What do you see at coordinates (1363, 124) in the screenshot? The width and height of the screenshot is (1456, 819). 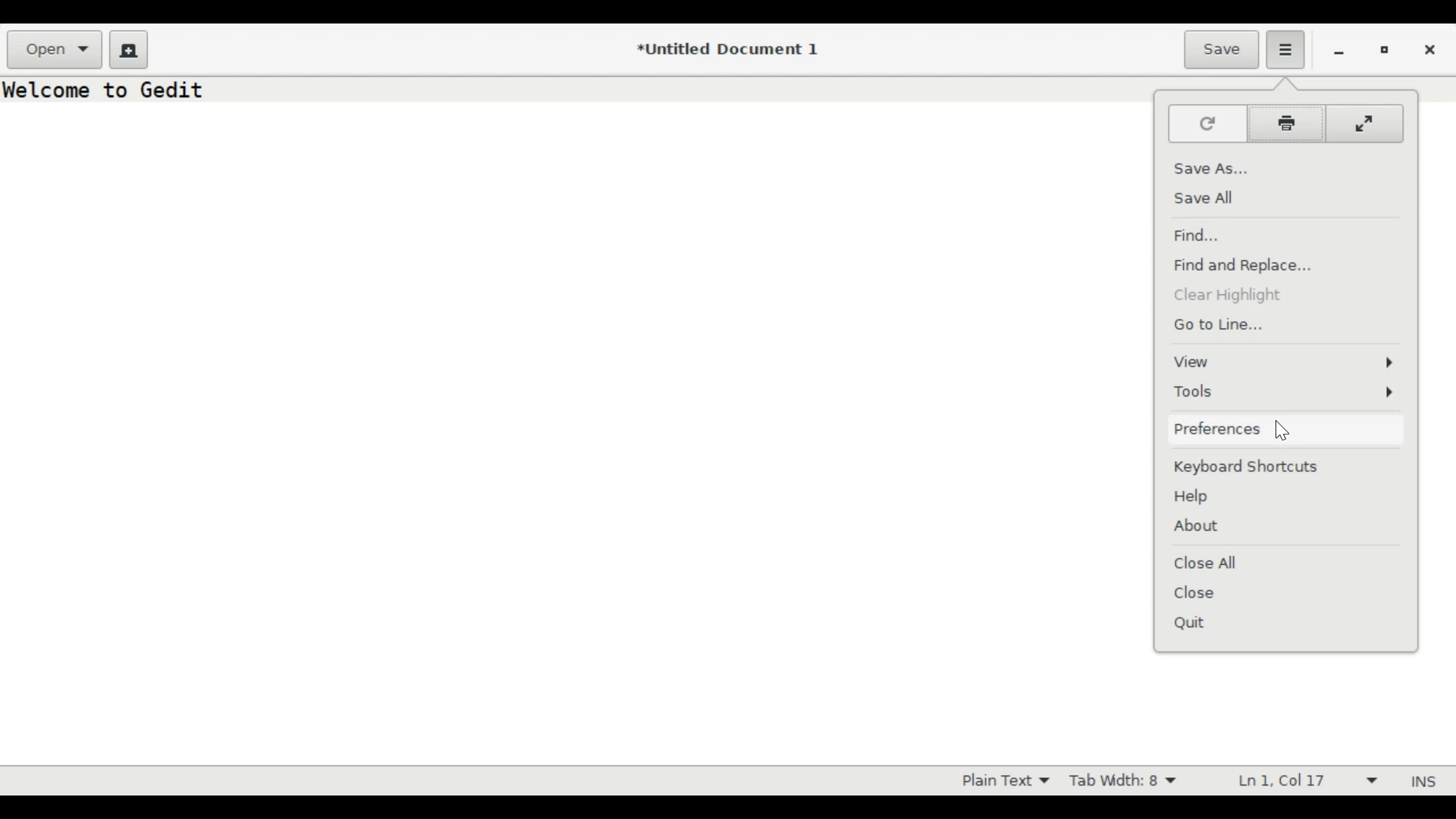 I see `Full screen` at bounding box center [1363, 124].